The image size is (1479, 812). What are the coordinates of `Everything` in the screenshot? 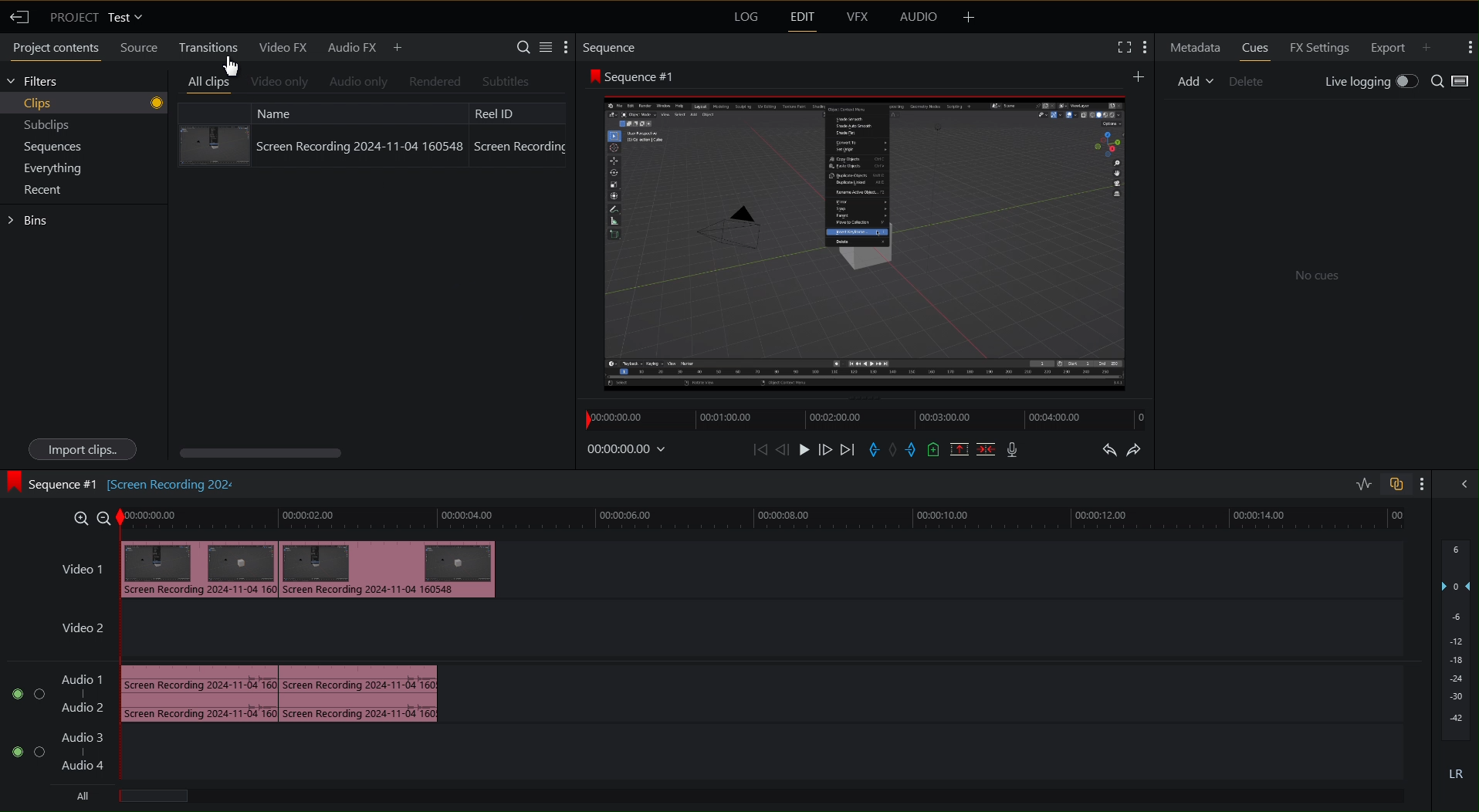 It's located at (53, 168).